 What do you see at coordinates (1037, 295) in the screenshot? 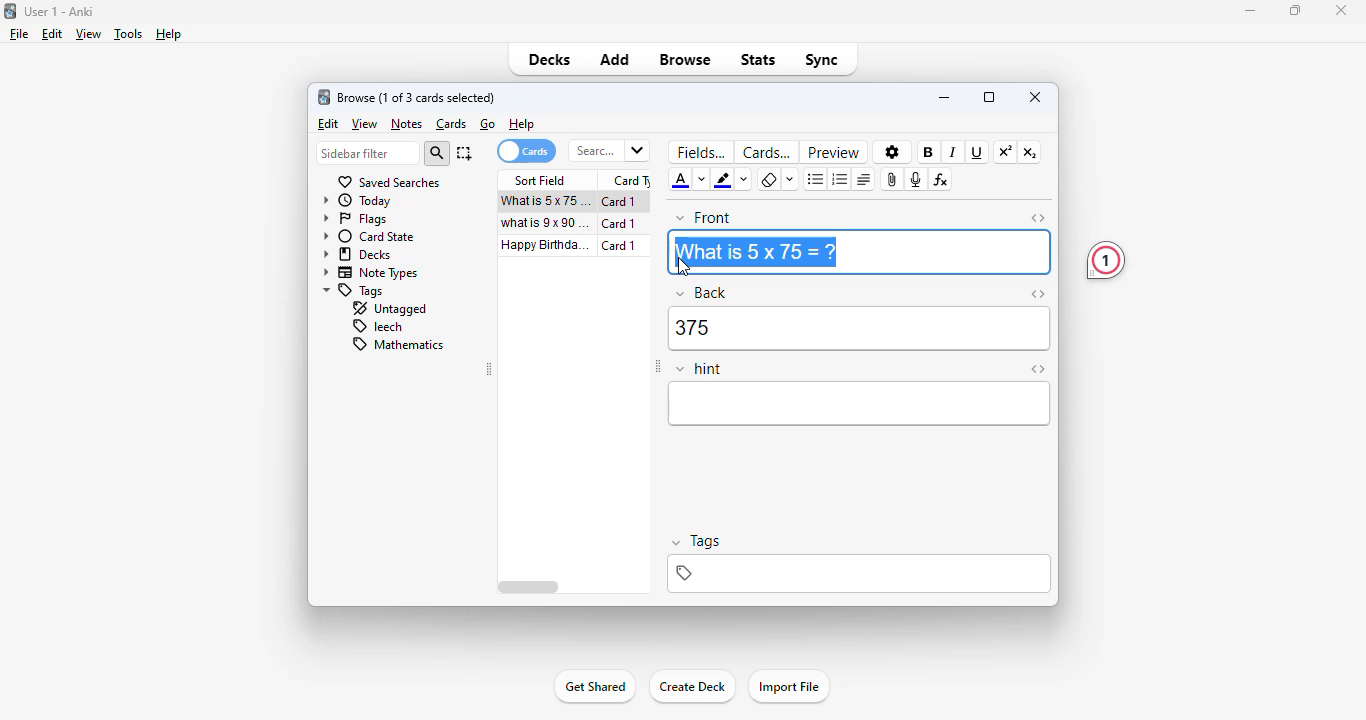
I see `toggle HTML editor` at bounding box center [1037, 295].